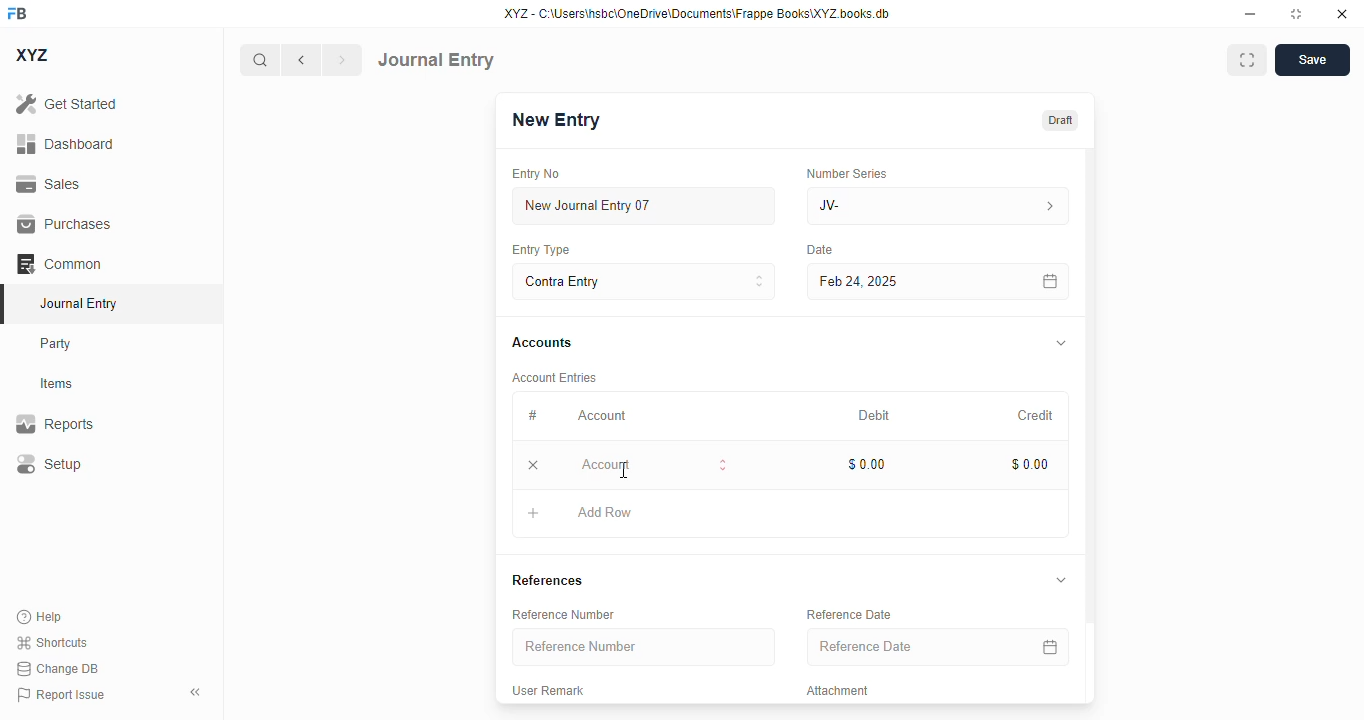 This screenshot has width=1364, height=720. Describe the element at coordinates (820, 250) in the screenshot. I see `date` at that location.